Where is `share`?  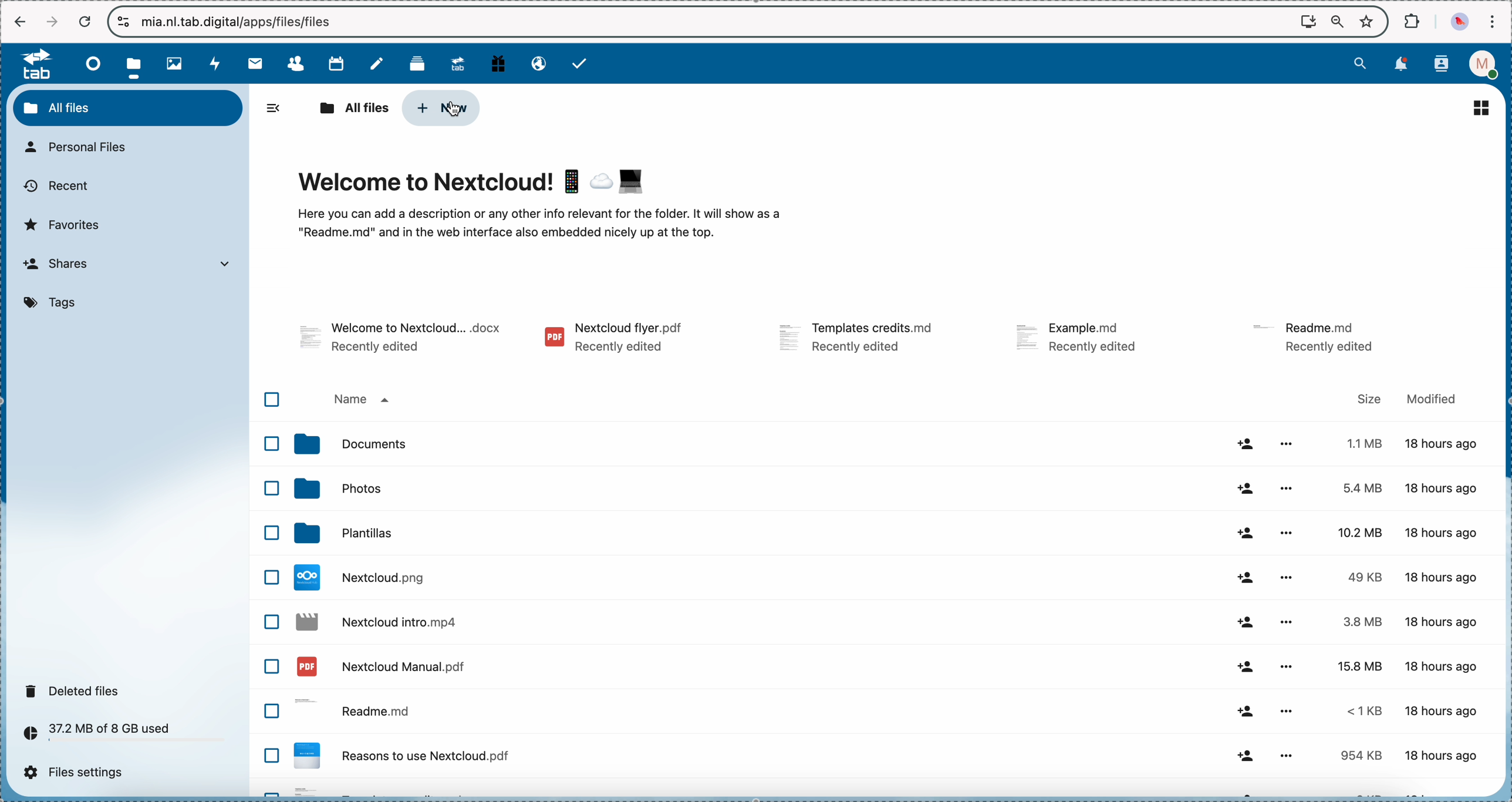
share is located at coordinates (1248, 664).